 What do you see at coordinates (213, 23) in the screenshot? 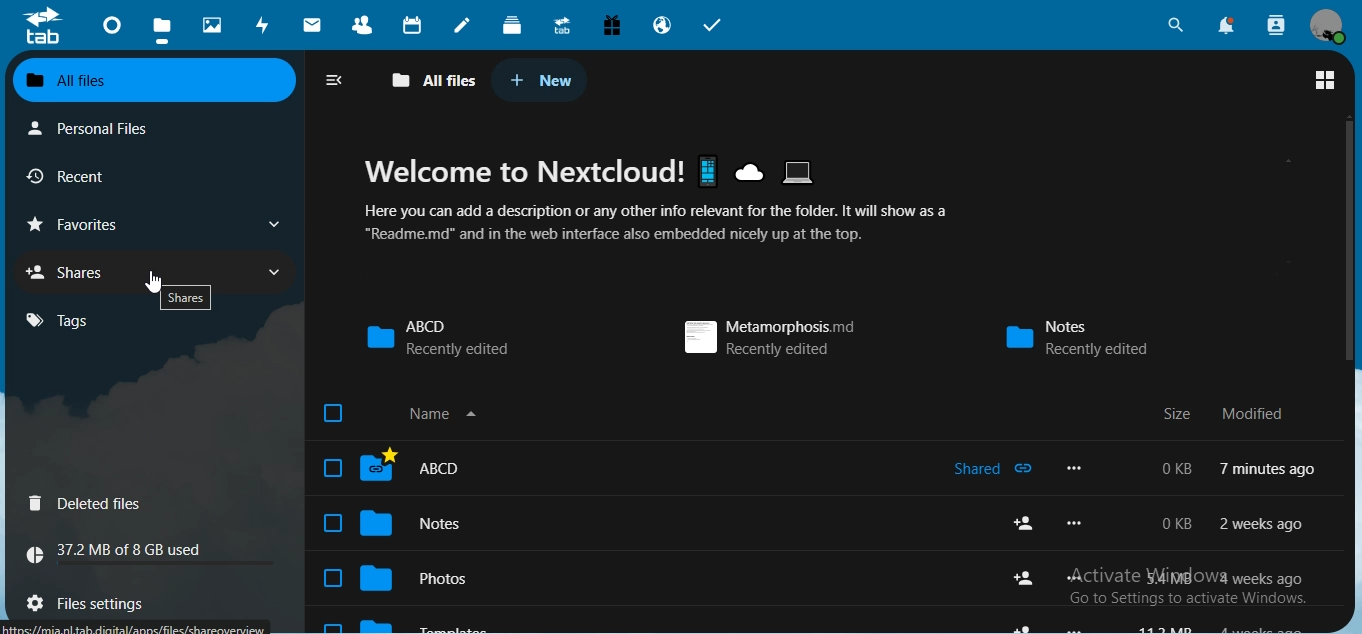
I see `photos` at bounding box center [213, 23].